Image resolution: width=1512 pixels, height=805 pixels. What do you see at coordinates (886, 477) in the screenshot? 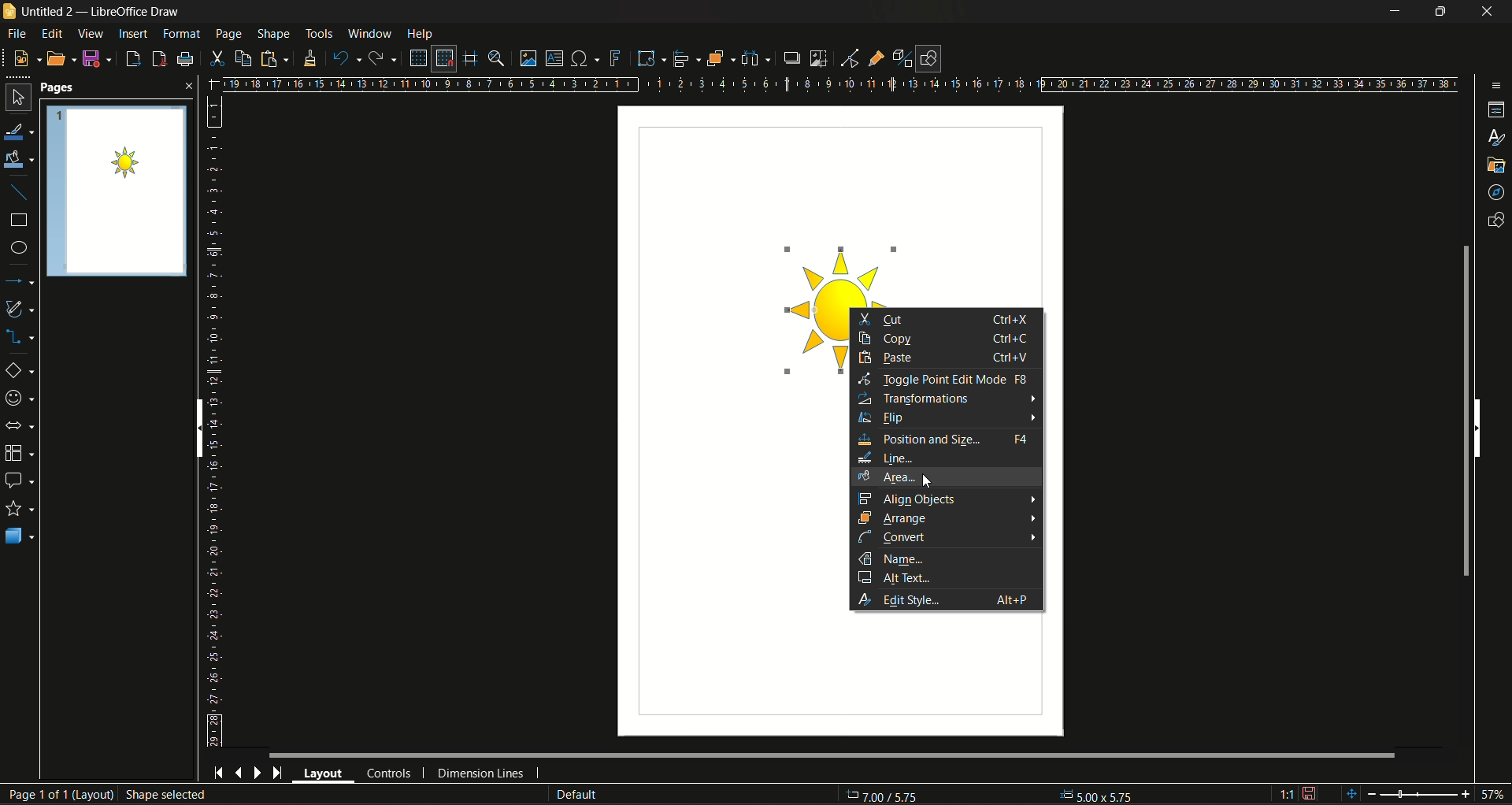
I see `area` at bounding box center [886, 477].